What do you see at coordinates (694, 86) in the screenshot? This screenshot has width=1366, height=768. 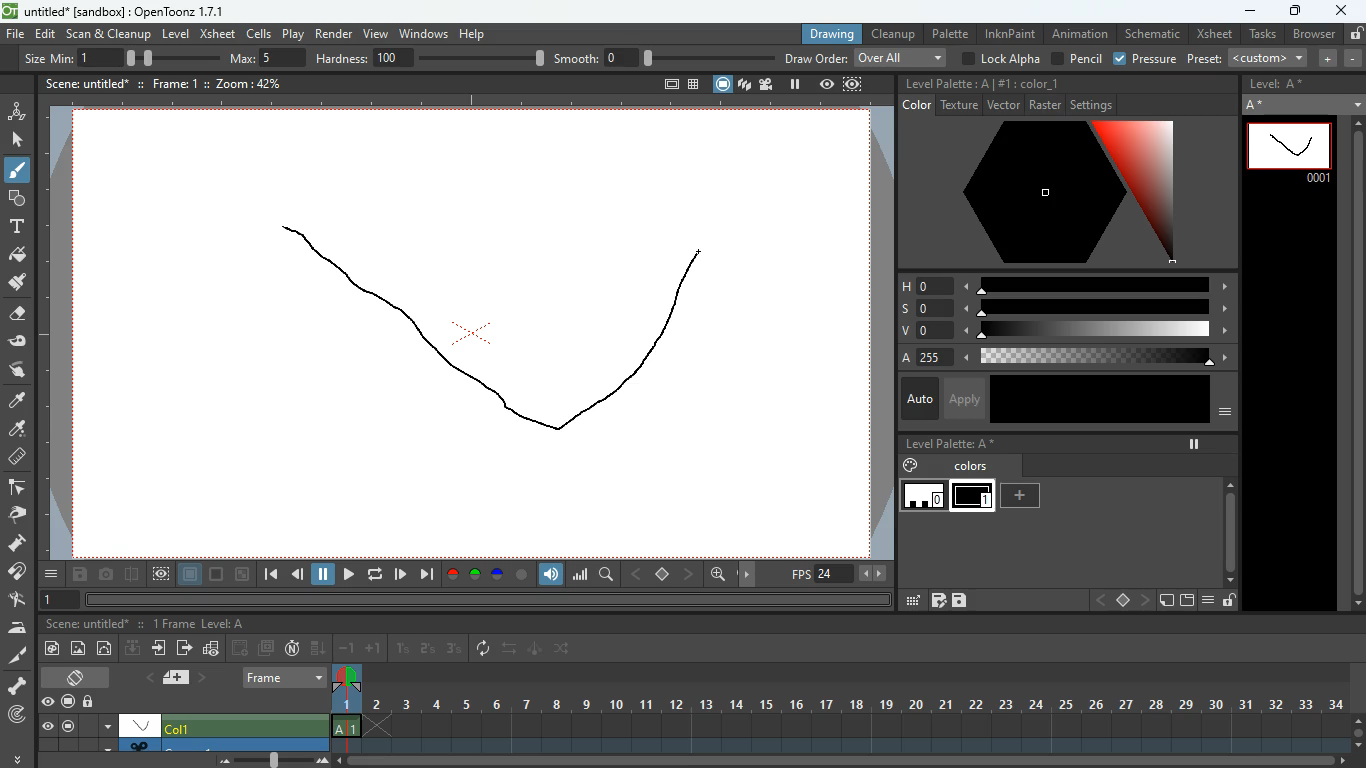 I see `table` at bounding box center [694, 86].